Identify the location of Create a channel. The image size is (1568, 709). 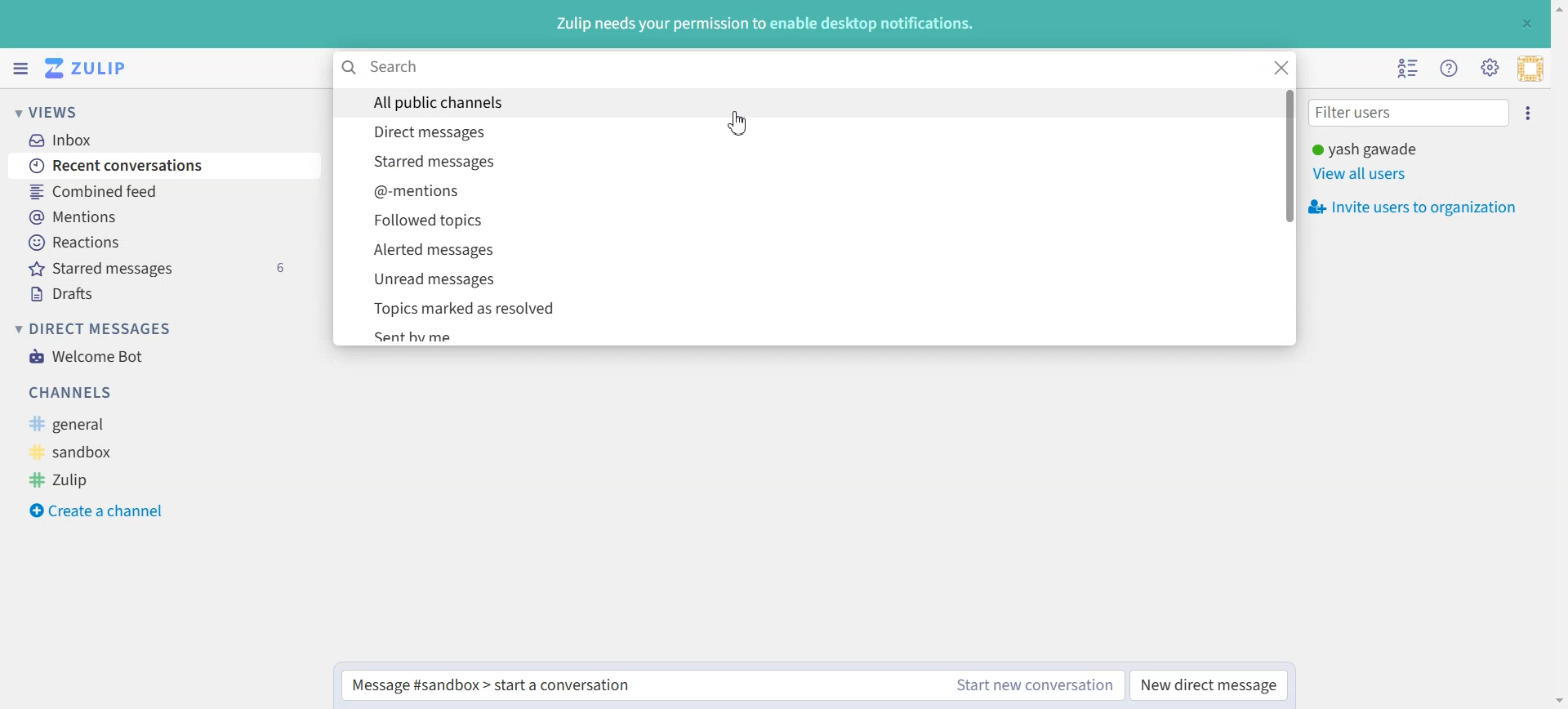
(97, 508).